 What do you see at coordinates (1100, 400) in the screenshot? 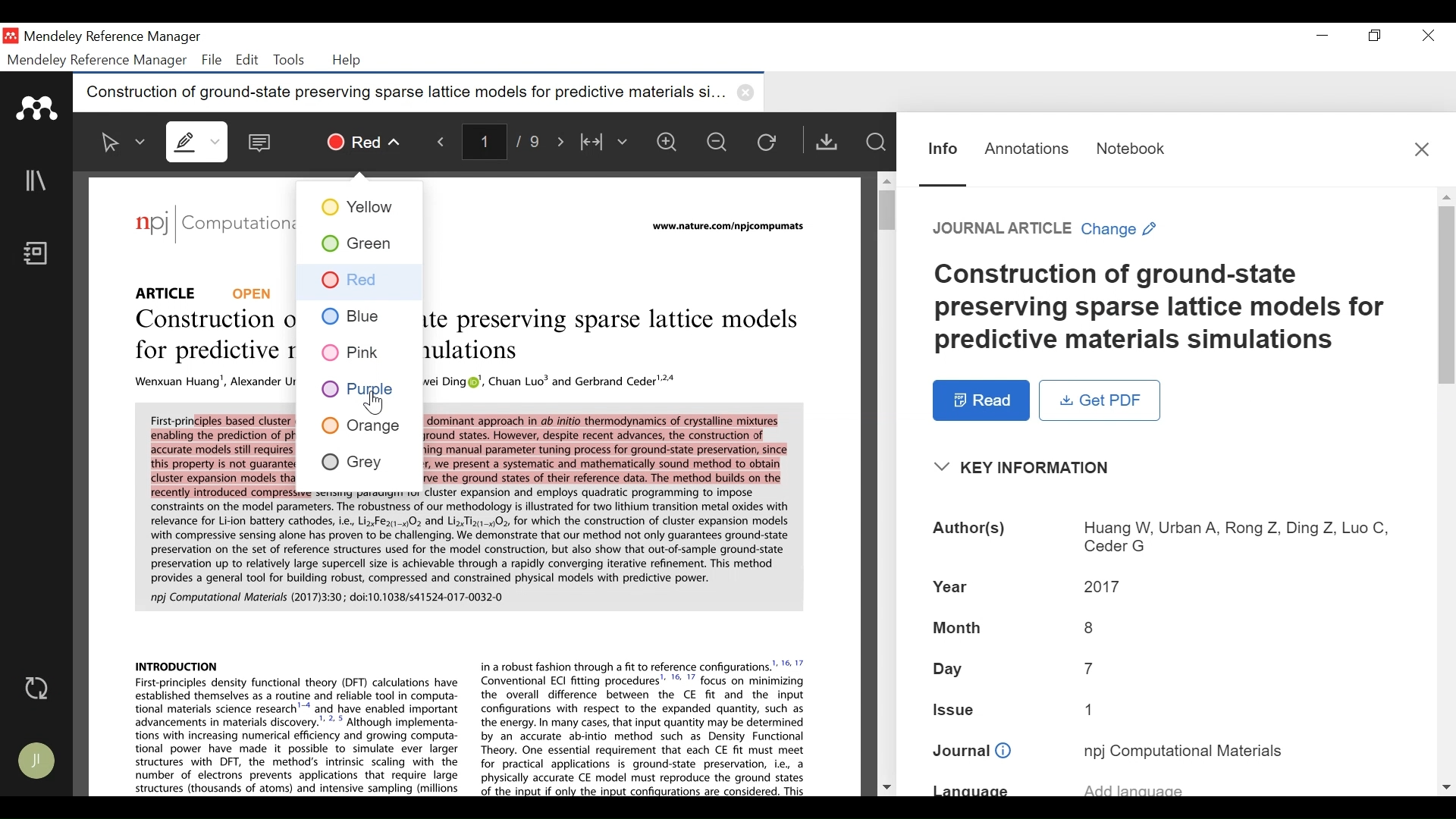
I see `Get PDF` at bounding box center [1100, 400].